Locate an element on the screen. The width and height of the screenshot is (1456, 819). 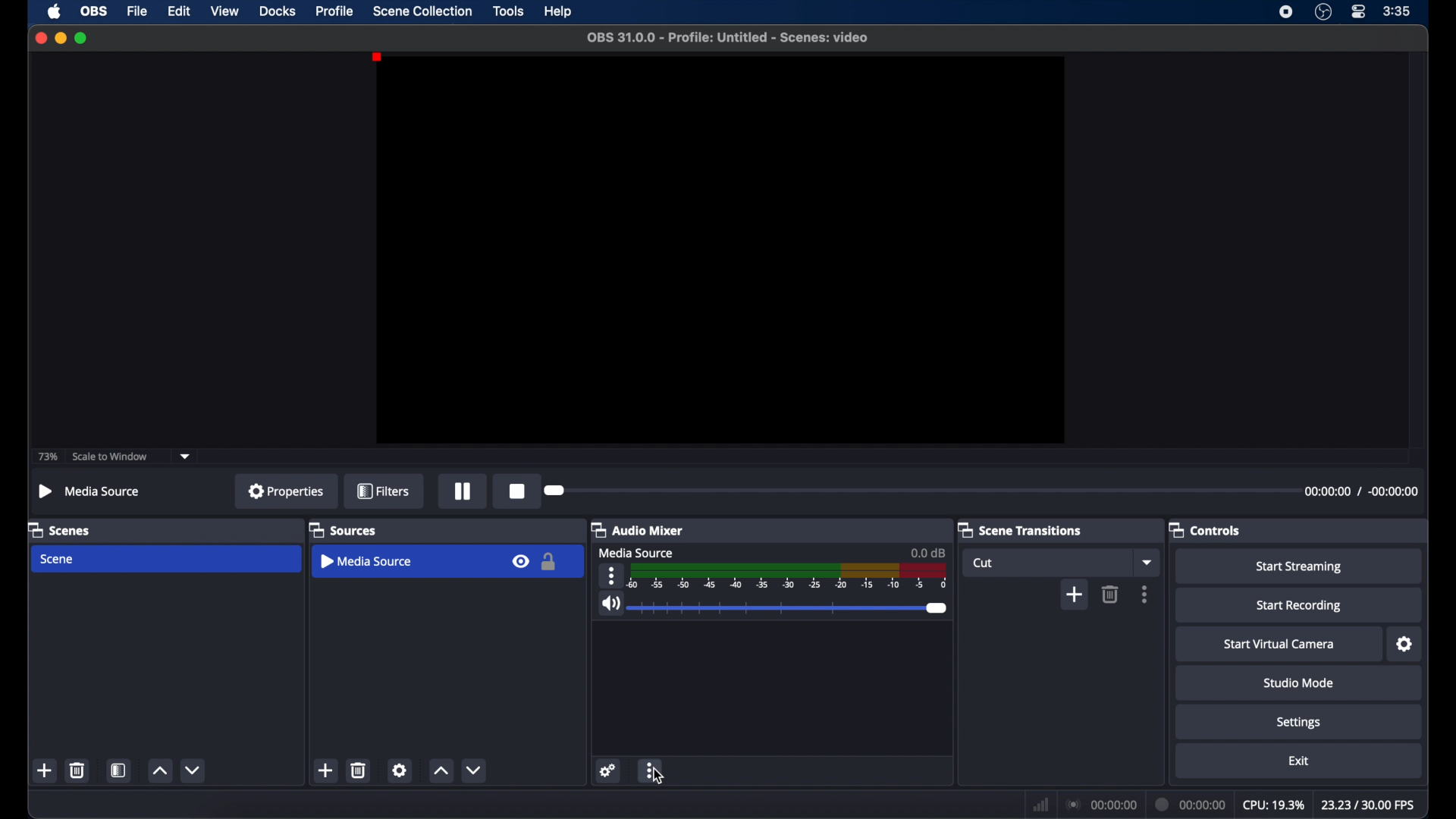
cpu is located at coordinates (1273, 803).